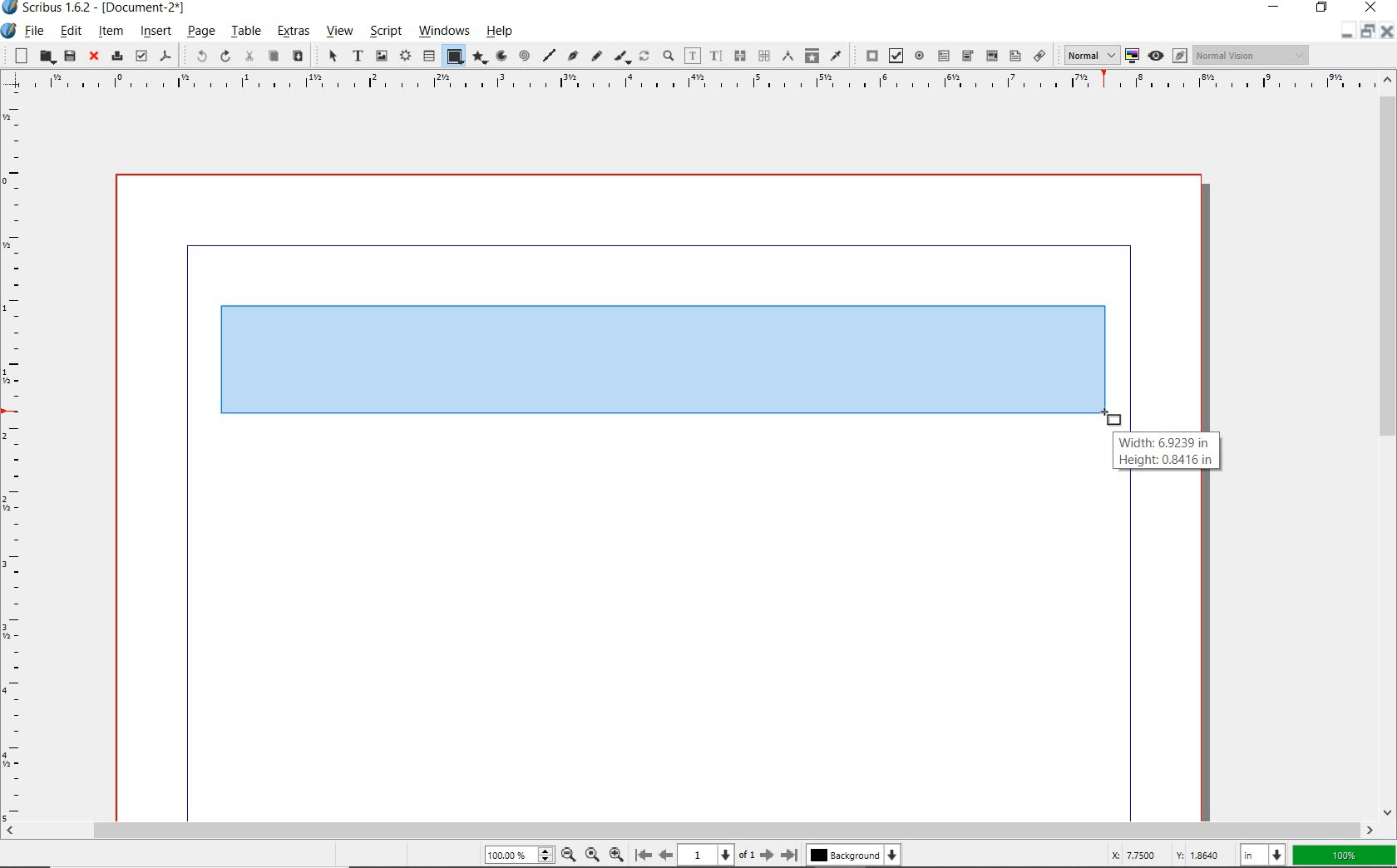 The width and height of the screenshot is (1397, 868). Describe the element at coordinates (384, 31) in the screenshot. I see `script` at that location.